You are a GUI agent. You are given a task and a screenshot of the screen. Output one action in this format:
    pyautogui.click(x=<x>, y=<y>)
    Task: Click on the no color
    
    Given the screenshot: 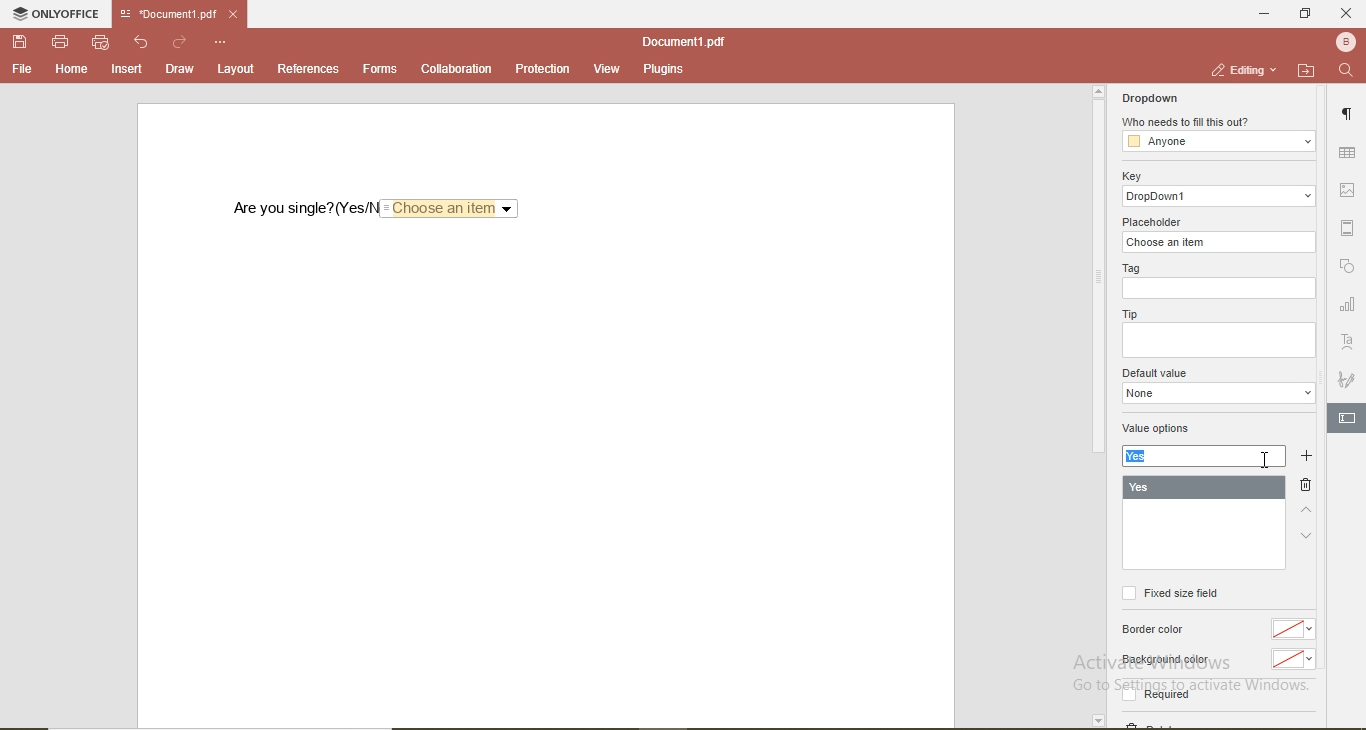 What is the action you would take?
    pyautogui.click(x=1292, y=630)
    